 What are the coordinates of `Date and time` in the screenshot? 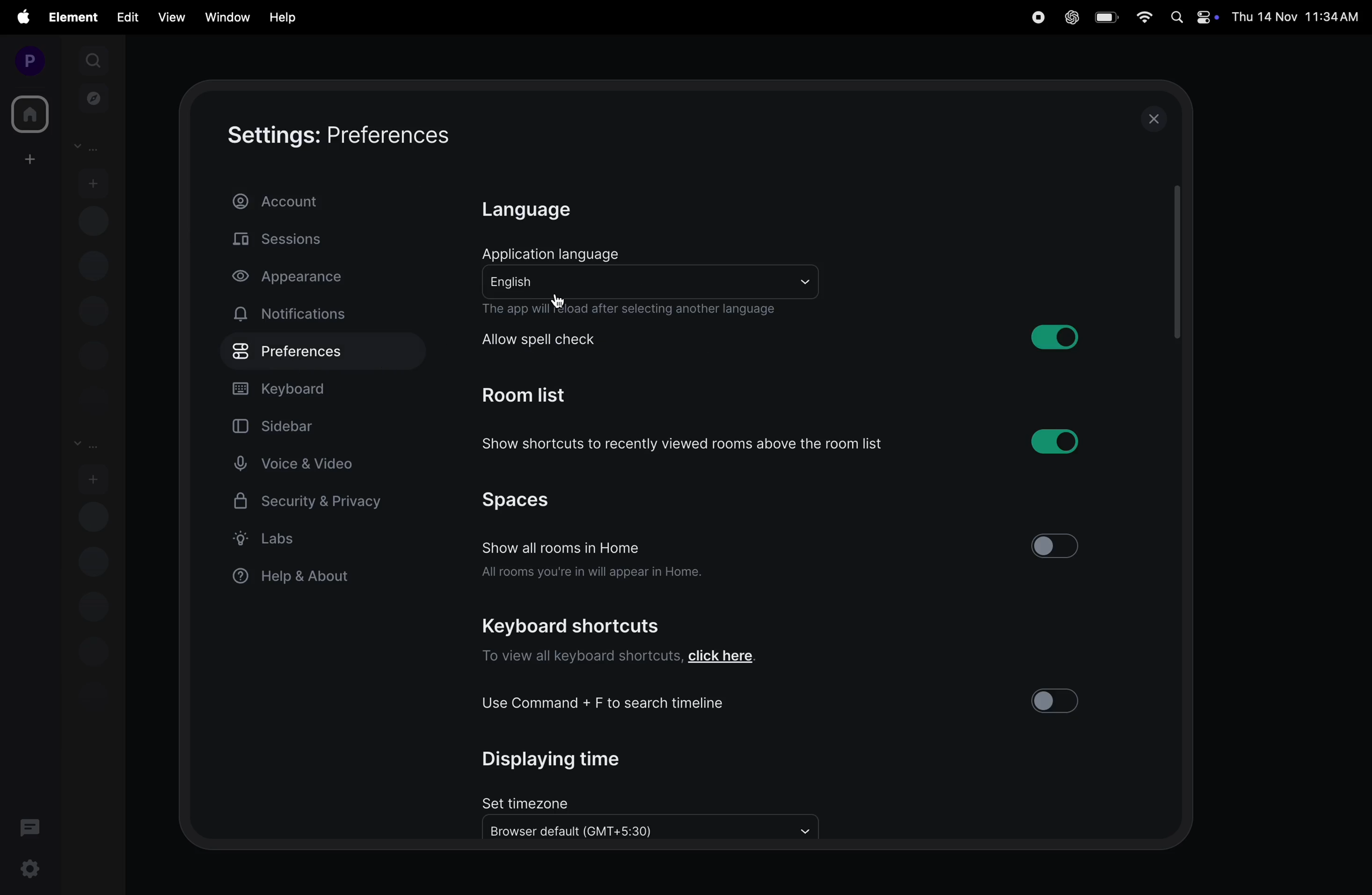 It's located at (1297, 17).